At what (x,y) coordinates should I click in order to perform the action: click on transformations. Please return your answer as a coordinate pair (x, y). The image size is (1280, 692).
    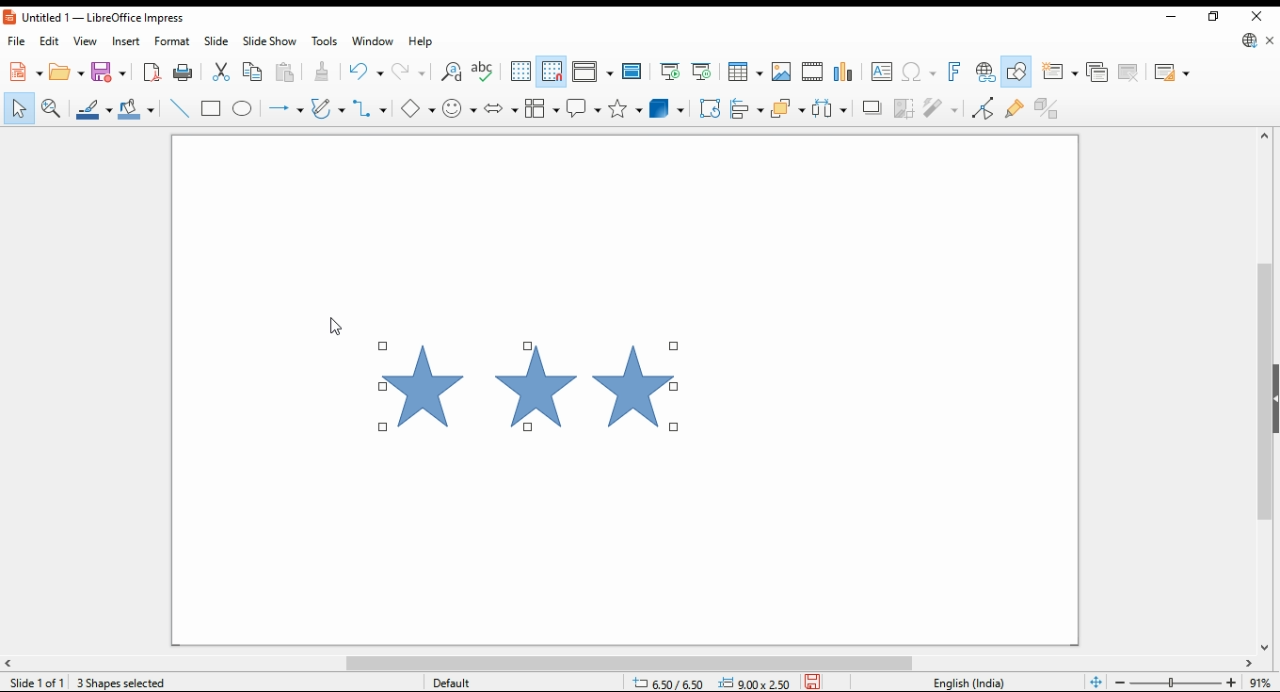
    Looking at the image, I should click on (710, 110).